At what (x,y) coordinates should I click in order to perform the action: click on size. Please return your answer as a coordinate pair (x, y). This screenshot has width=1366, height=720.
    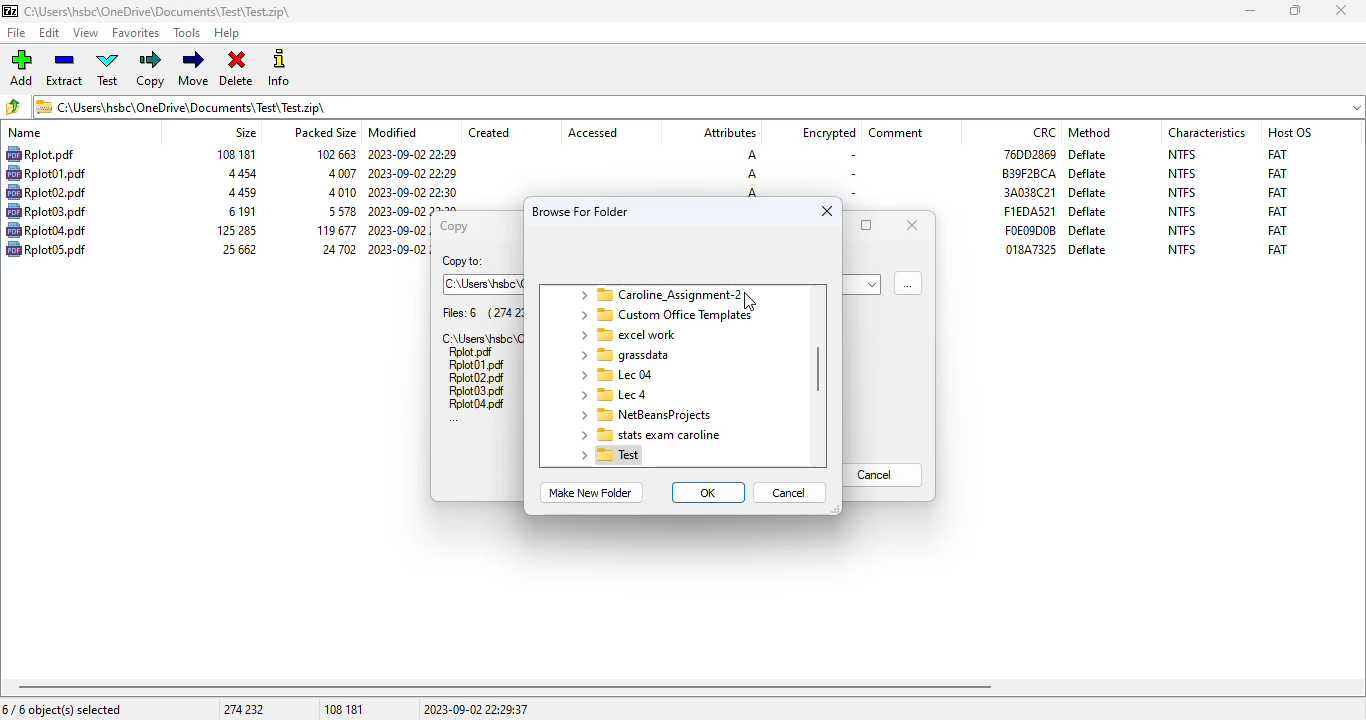
    Looking at the image, I should click on (234, 230).